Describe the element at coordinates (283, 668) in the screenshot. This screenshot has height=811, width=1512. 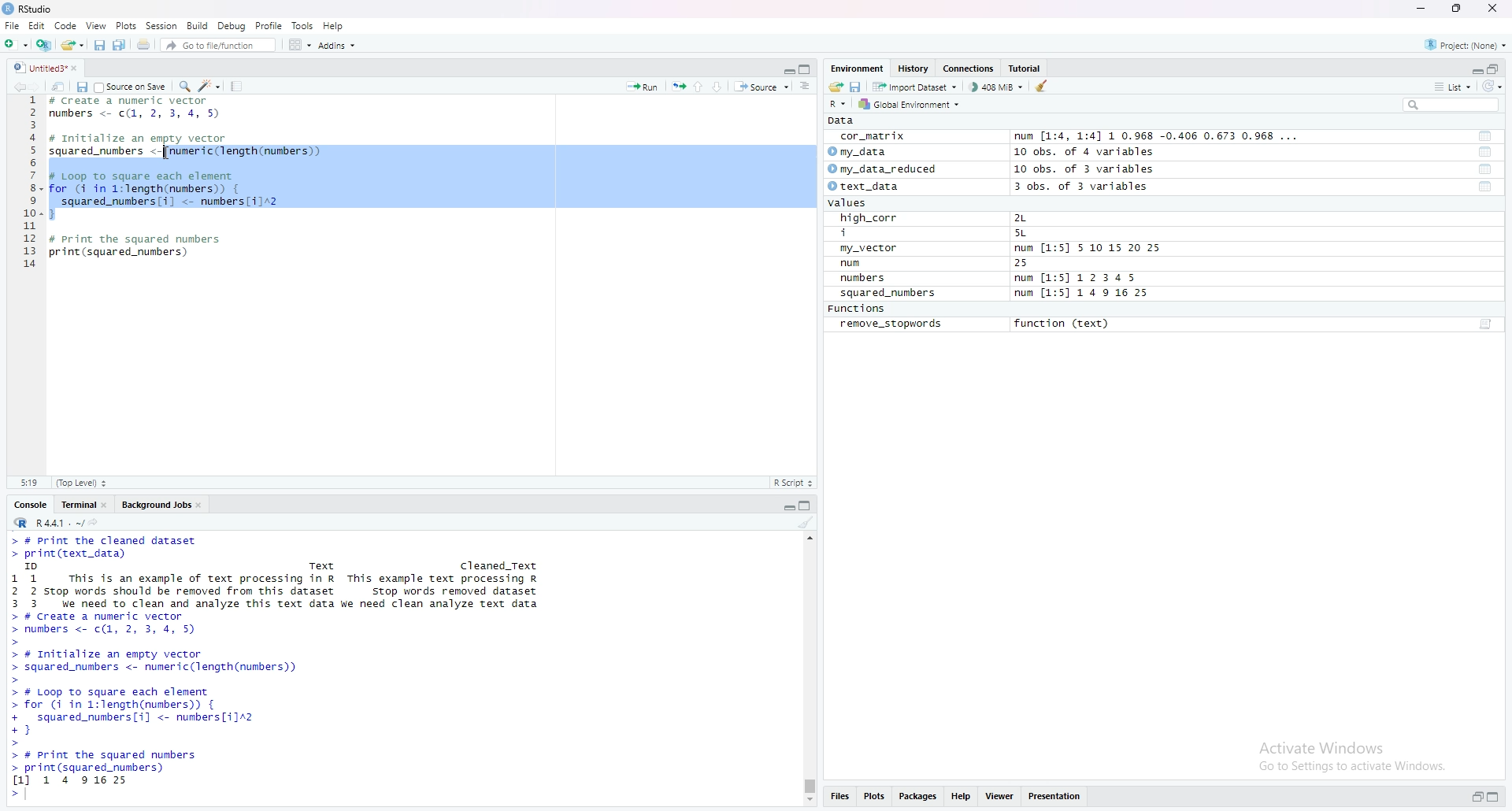
I see `> # print the cleaned dataset> print(text_data)™ Text Cleaned_Text11 This is an example of text processing in R This example text processing R2 2 stop words should be removed from this dataset stop words removed dataset3 3 ve need to clean and analyze this text data We need clean analyze text data> # Create a numeric vector> numbers <- c(1, 2, 3, 4, 5)> # Initialize an empty vector> squared_numbers <- numer ic(length(numbers))> # Loop To square each element> for (i in 1:length(numbers)) {+ squared_numbers[i] <- nunbers[i12+}> # print the squared numbers> print(squared_numbers)1] 1 4 9 16 25 >` at that location.